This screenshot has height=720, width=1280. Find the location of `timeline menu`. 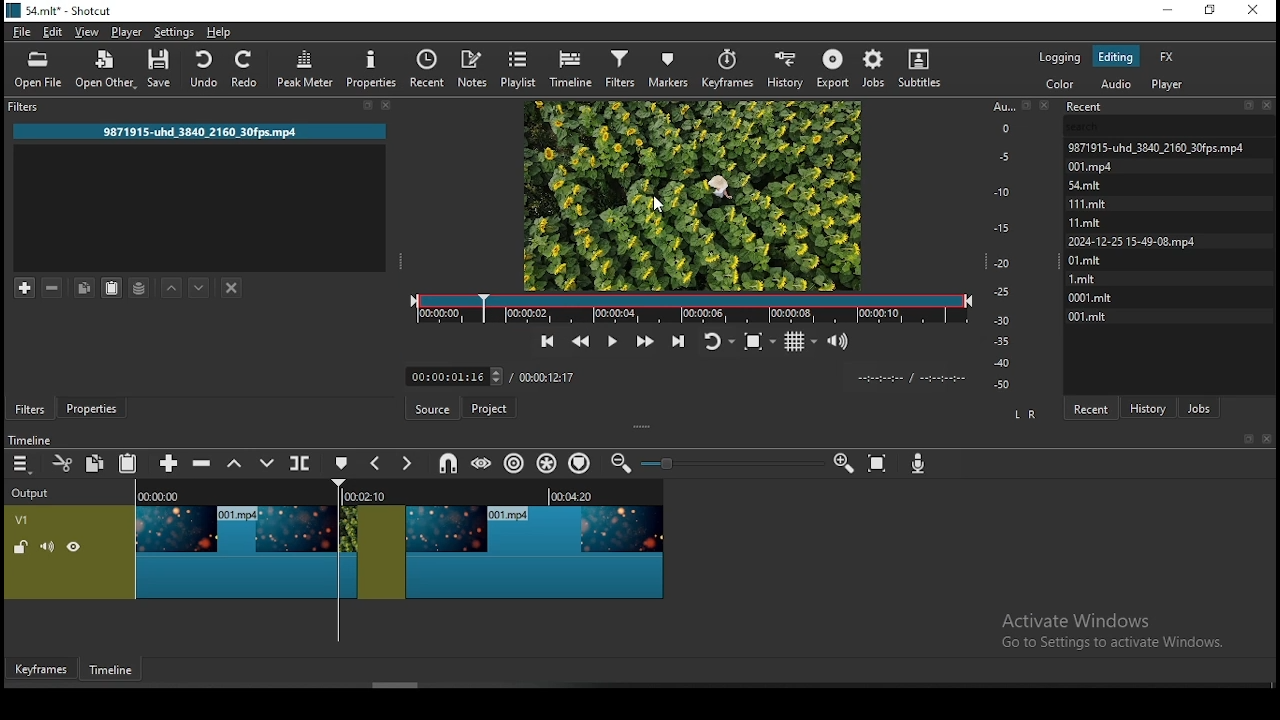

timeline menu is located at coordinates (22, 465).